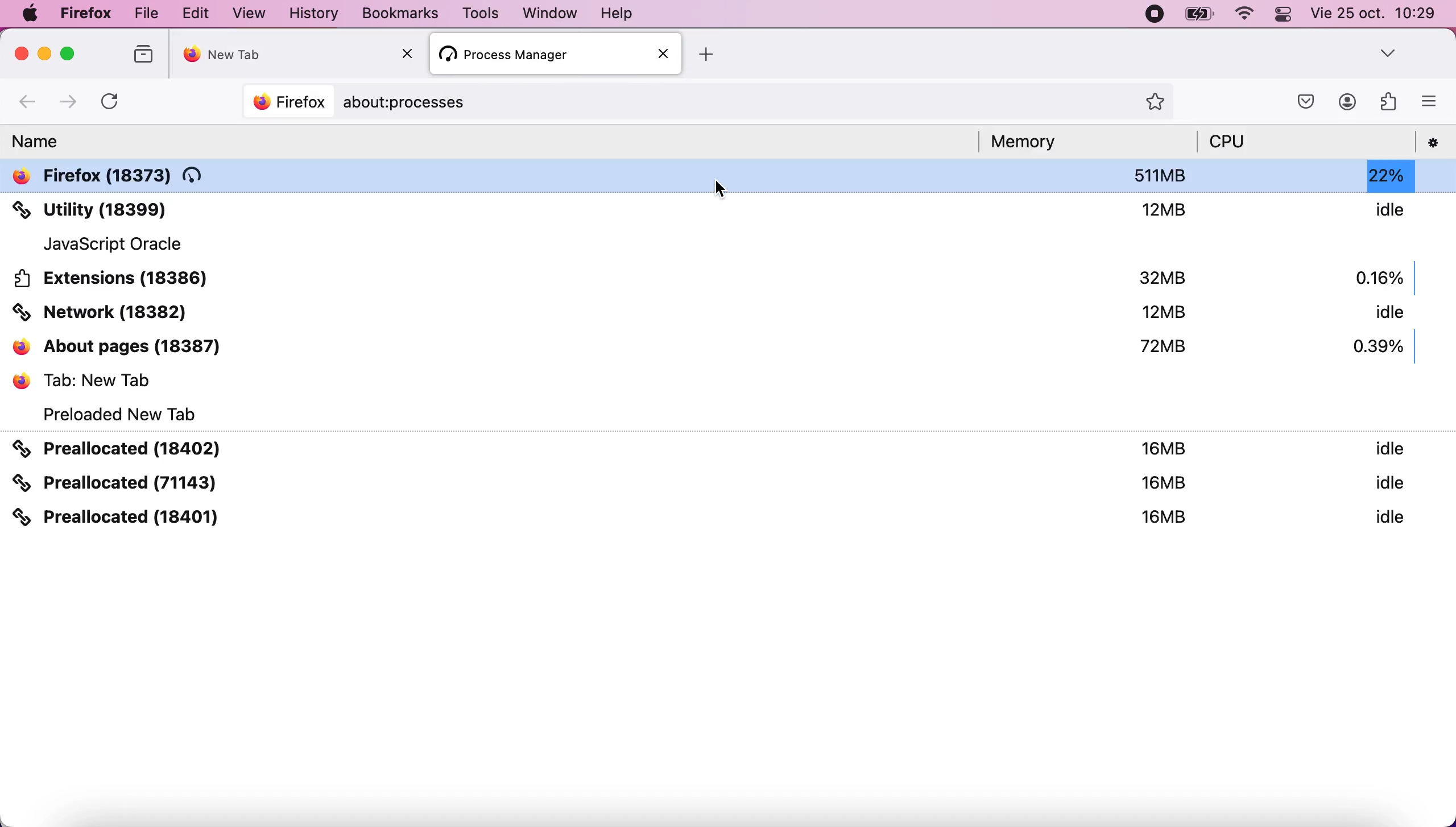 This screenshot has width=1456, height=827. I want to click on Settings, so click(1435, 142).